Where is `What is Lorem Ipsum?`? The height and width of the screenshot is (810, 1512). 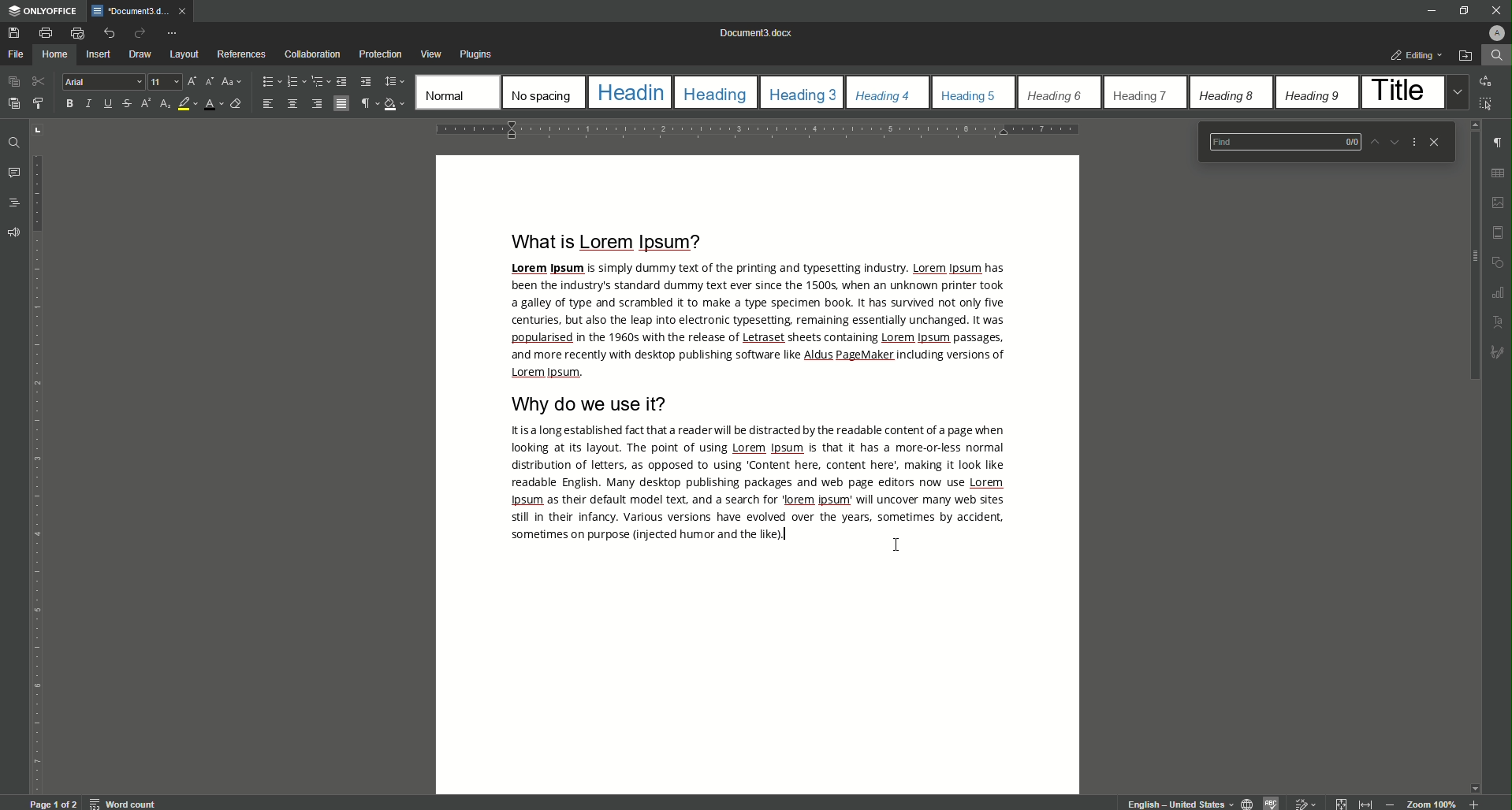
What is Lorem Ipsum? is located at coordinates (599, 241).